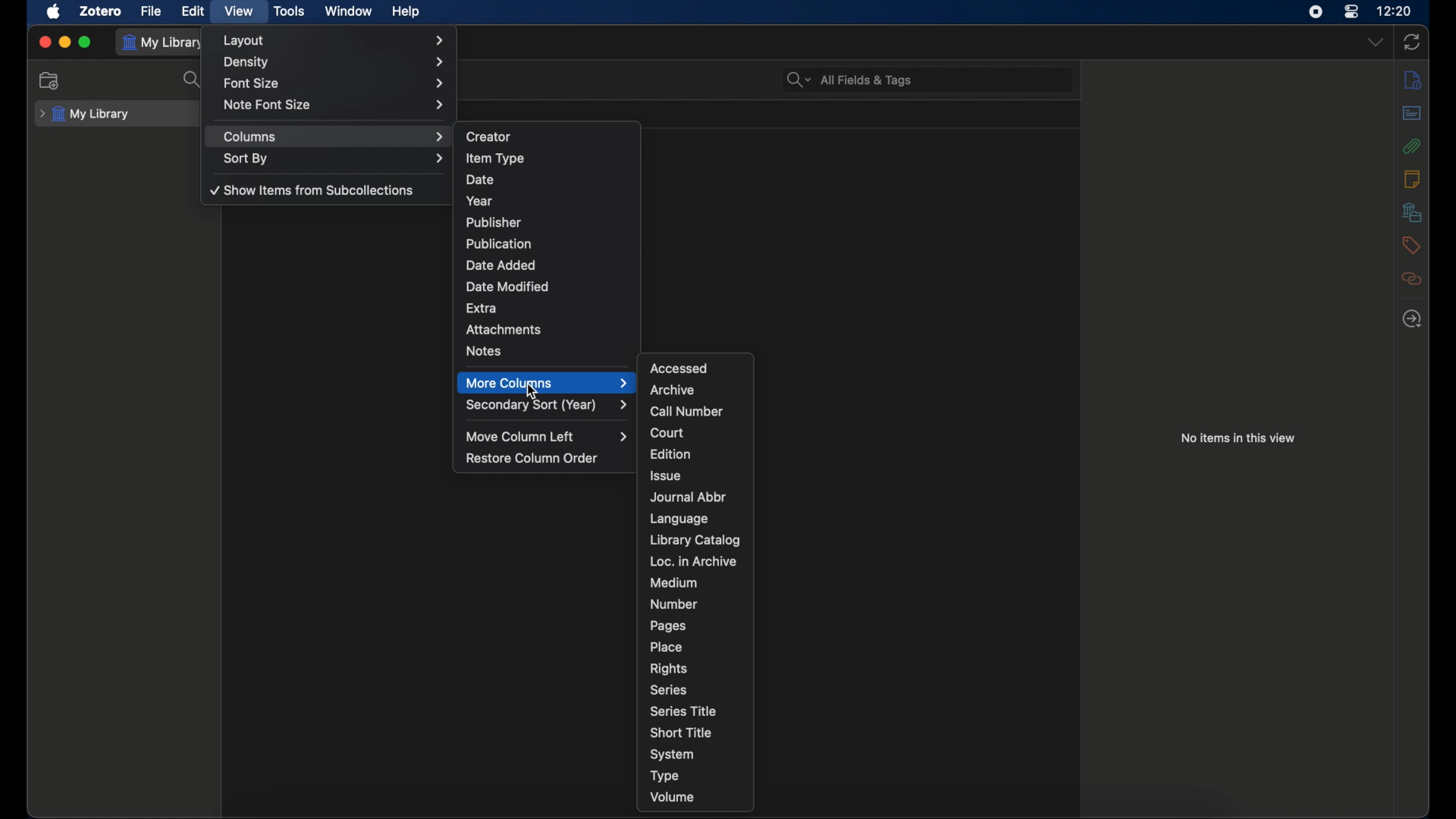 Image resolution: width=1456 pixels, height=819 pixels. Describe the element at coordinates (669, 626) in the screenshot. I see `pages` at that location.